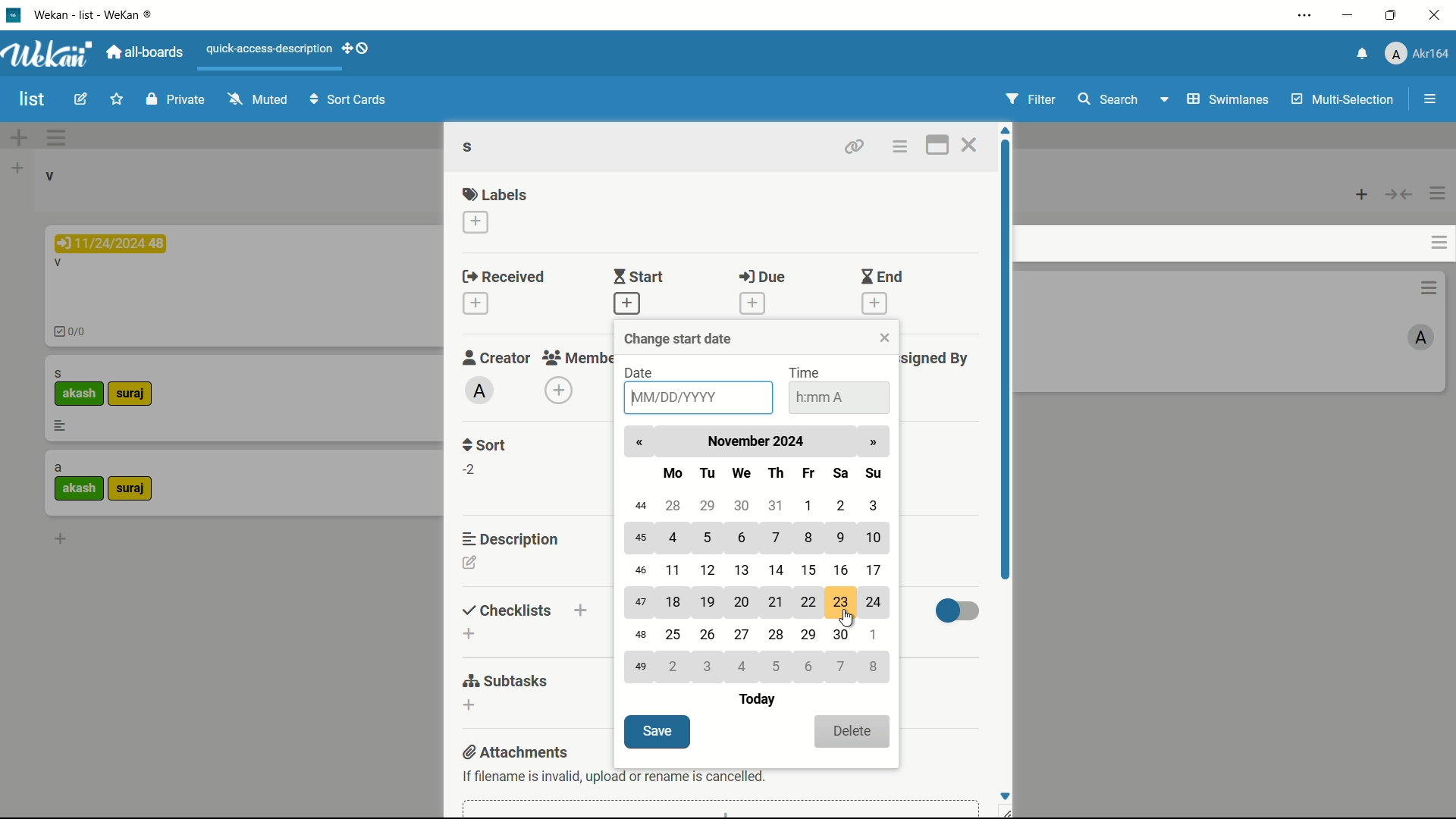 This screenshot has width=1456, height=819. I want to click on description, so click(512, 538).